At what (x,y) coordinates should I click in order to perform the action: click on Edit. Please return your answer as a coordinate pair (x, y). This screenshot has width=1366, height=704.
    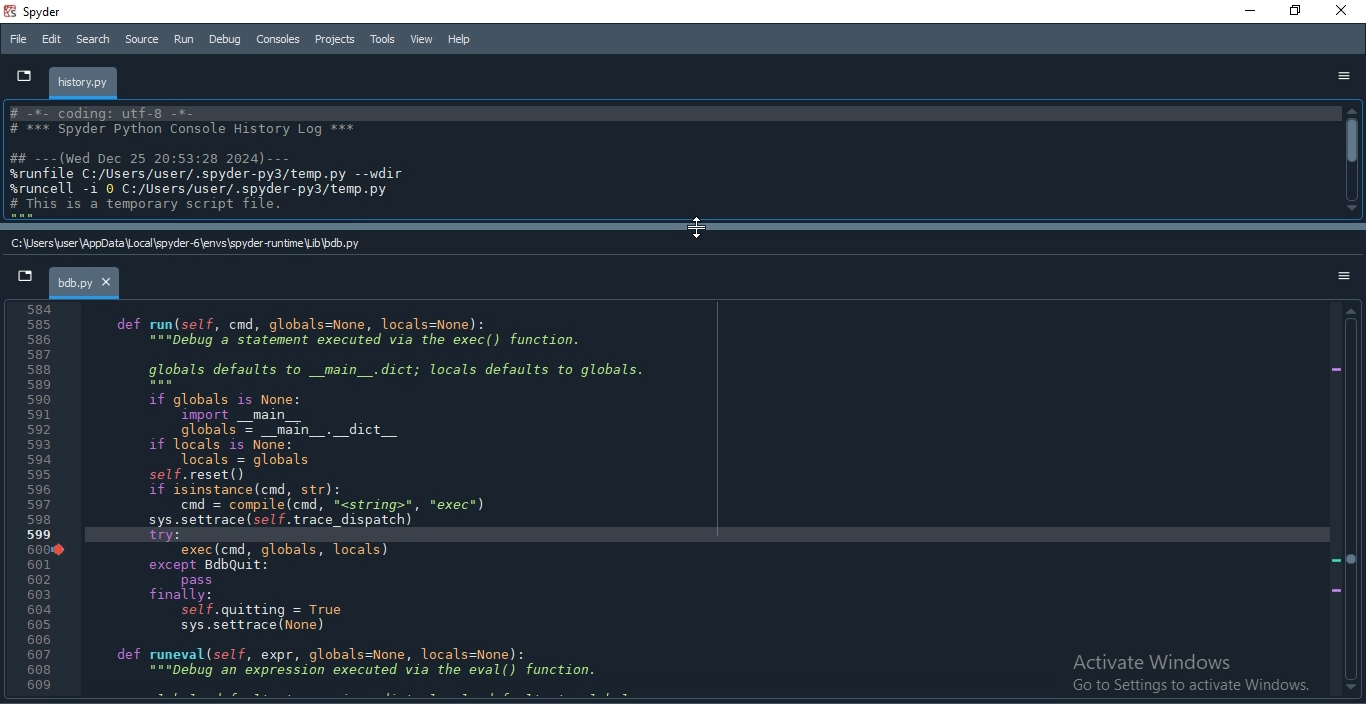
    Looking at the image, I should click on (52, 41).